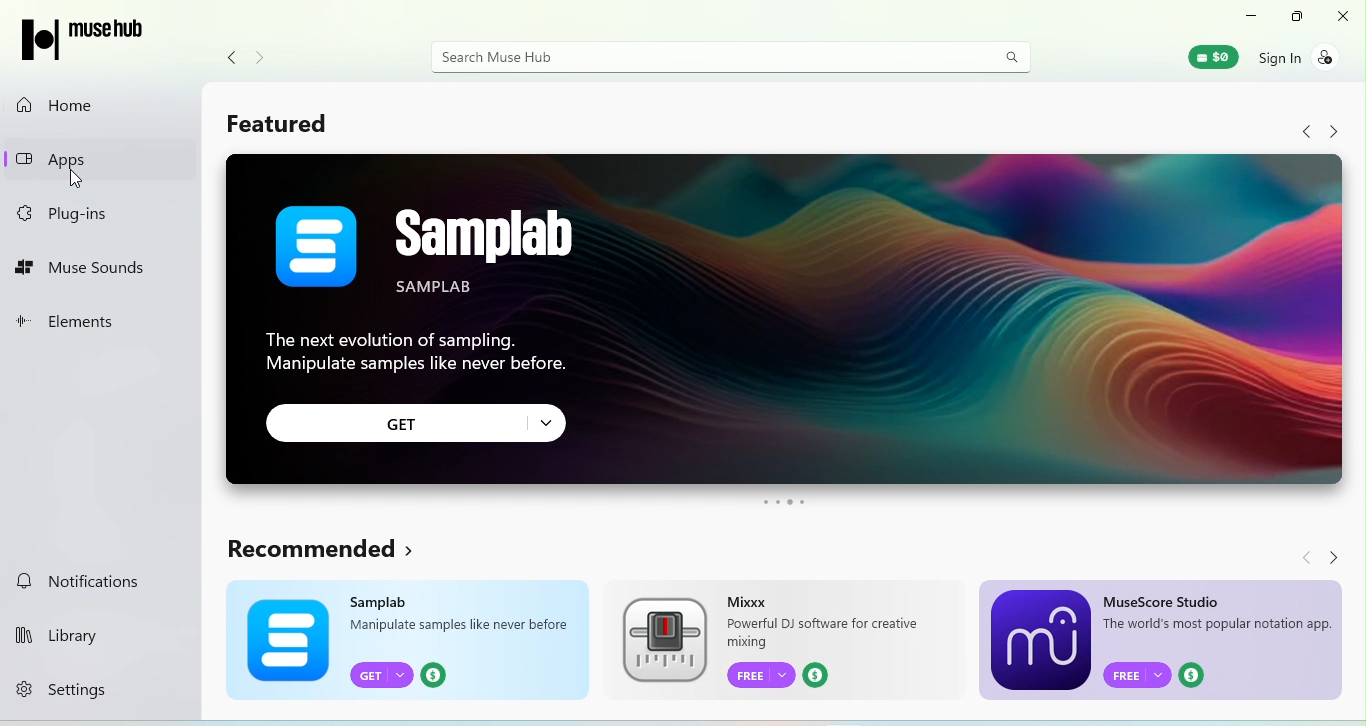 Image resolution: width=1366 pixels, height=726 pixels. Describe the element at coordinates (1136, 674) in the screenshot. I see `Free` at that location.